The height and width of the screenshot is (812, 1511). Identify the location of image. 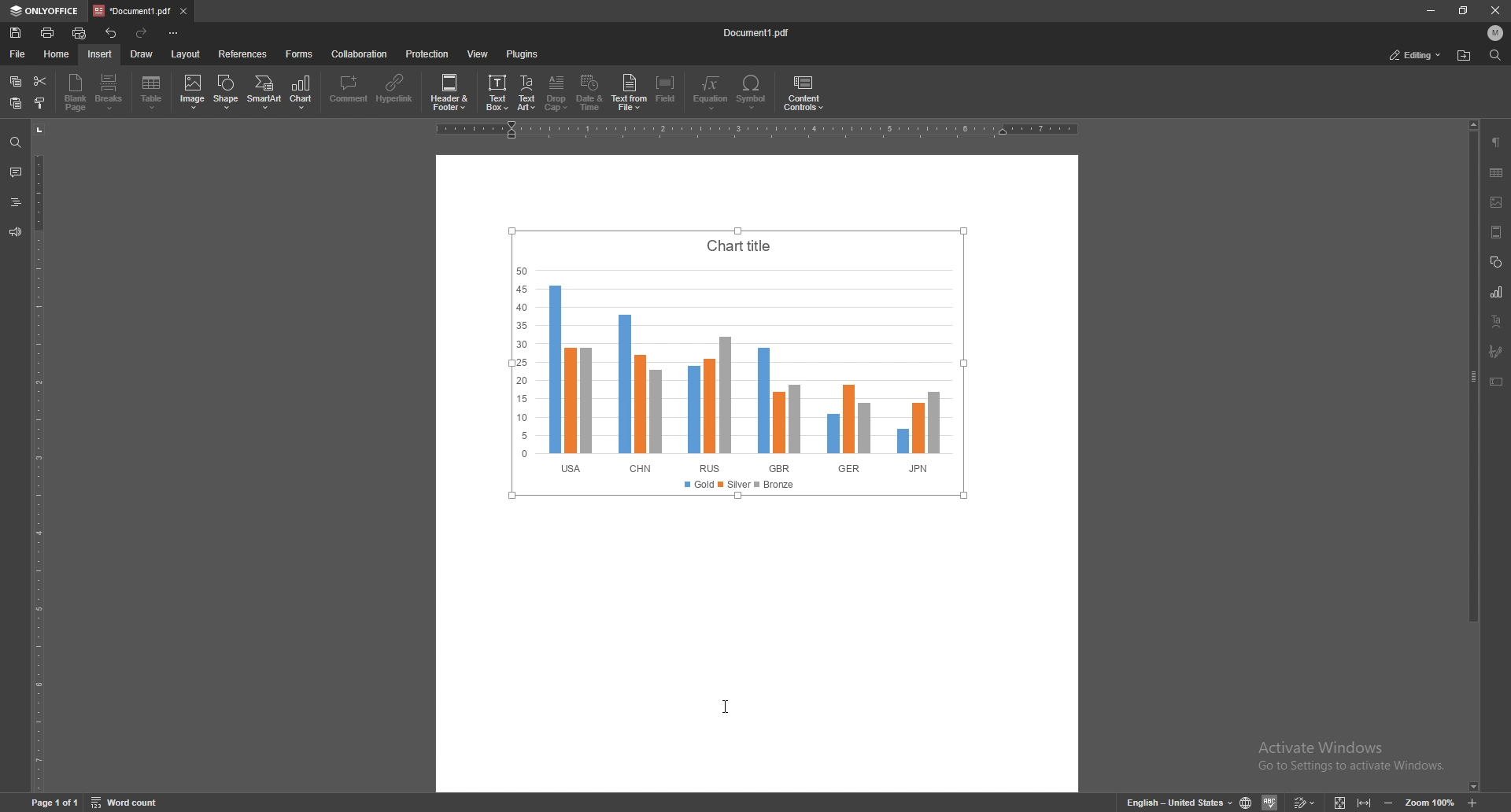
(1498, 202).